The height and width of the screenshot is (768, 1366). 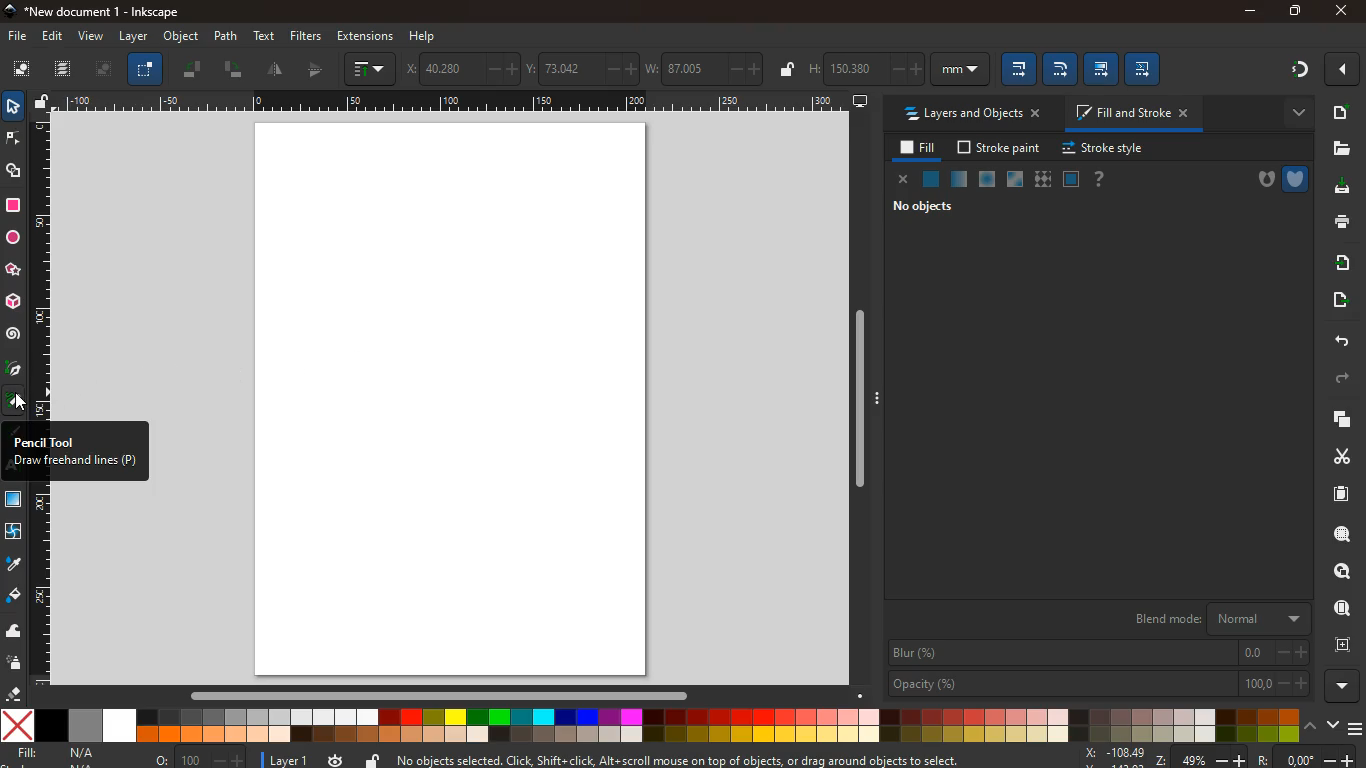 I want to click on layer, so click(x=134, y=36).